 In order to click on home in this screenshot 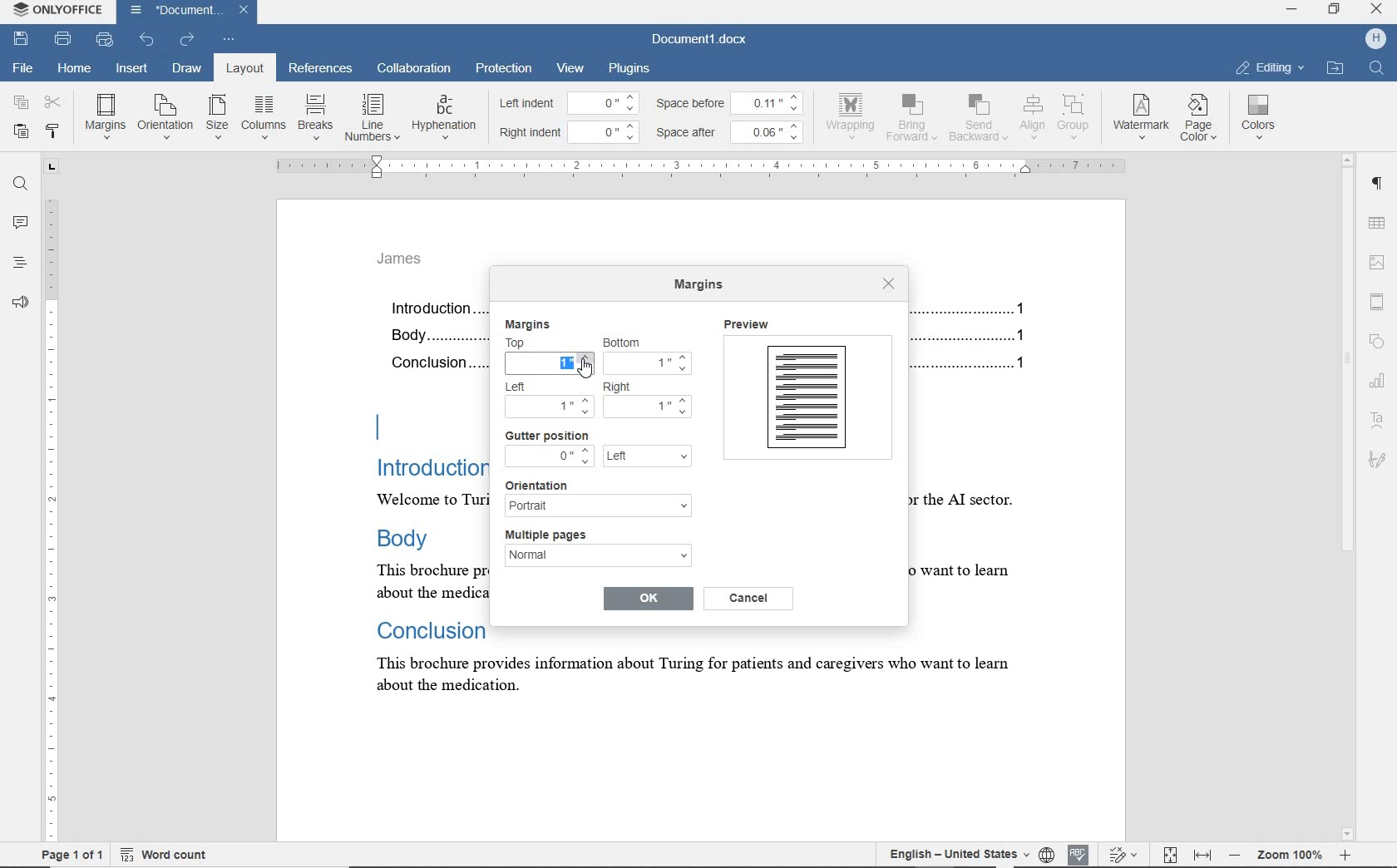, I will do `click(72, 69)`.